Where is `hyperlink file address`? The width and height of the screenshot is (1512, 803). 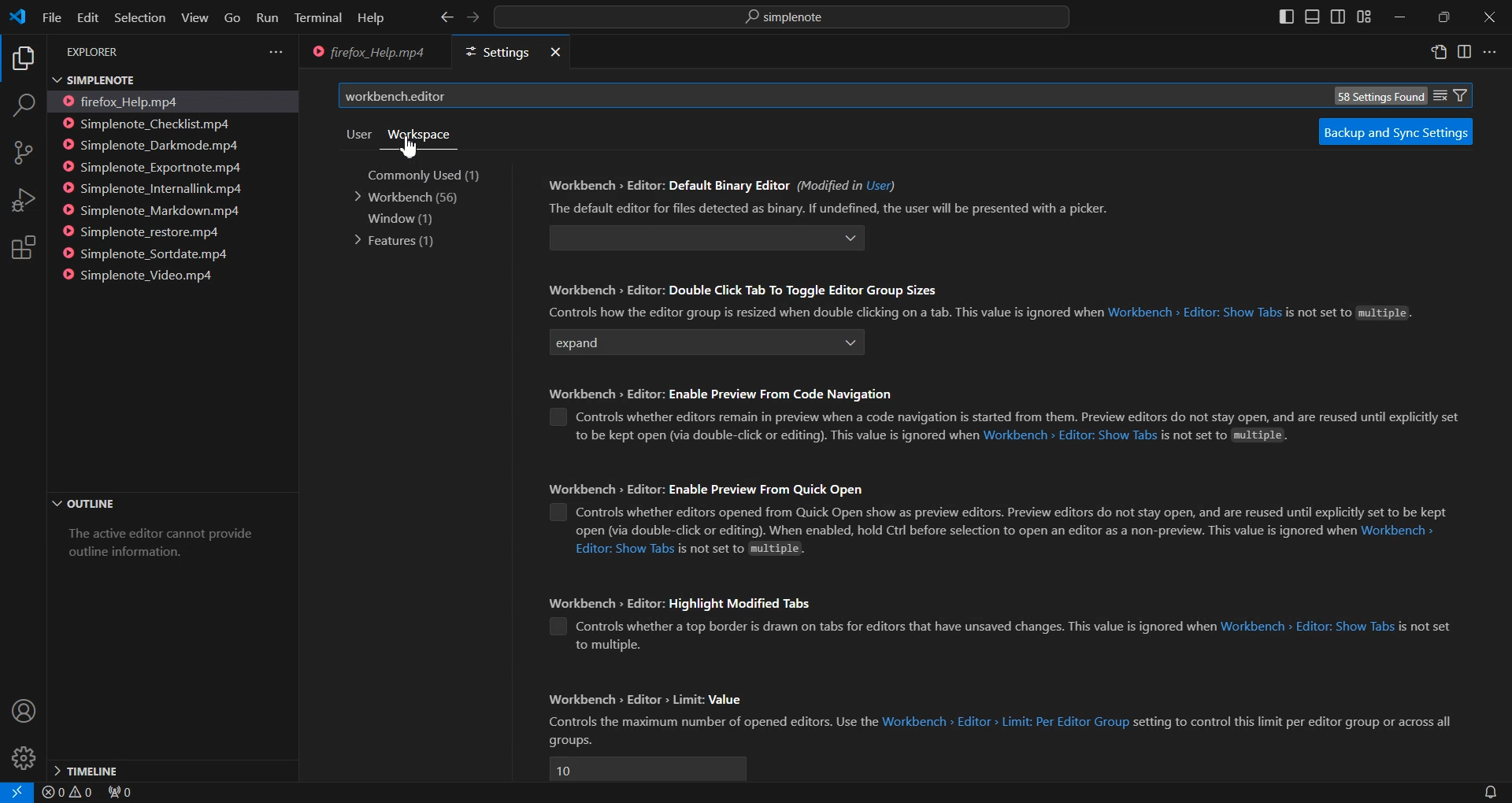
hyperlink file address is located at coordinates (1306, 627).